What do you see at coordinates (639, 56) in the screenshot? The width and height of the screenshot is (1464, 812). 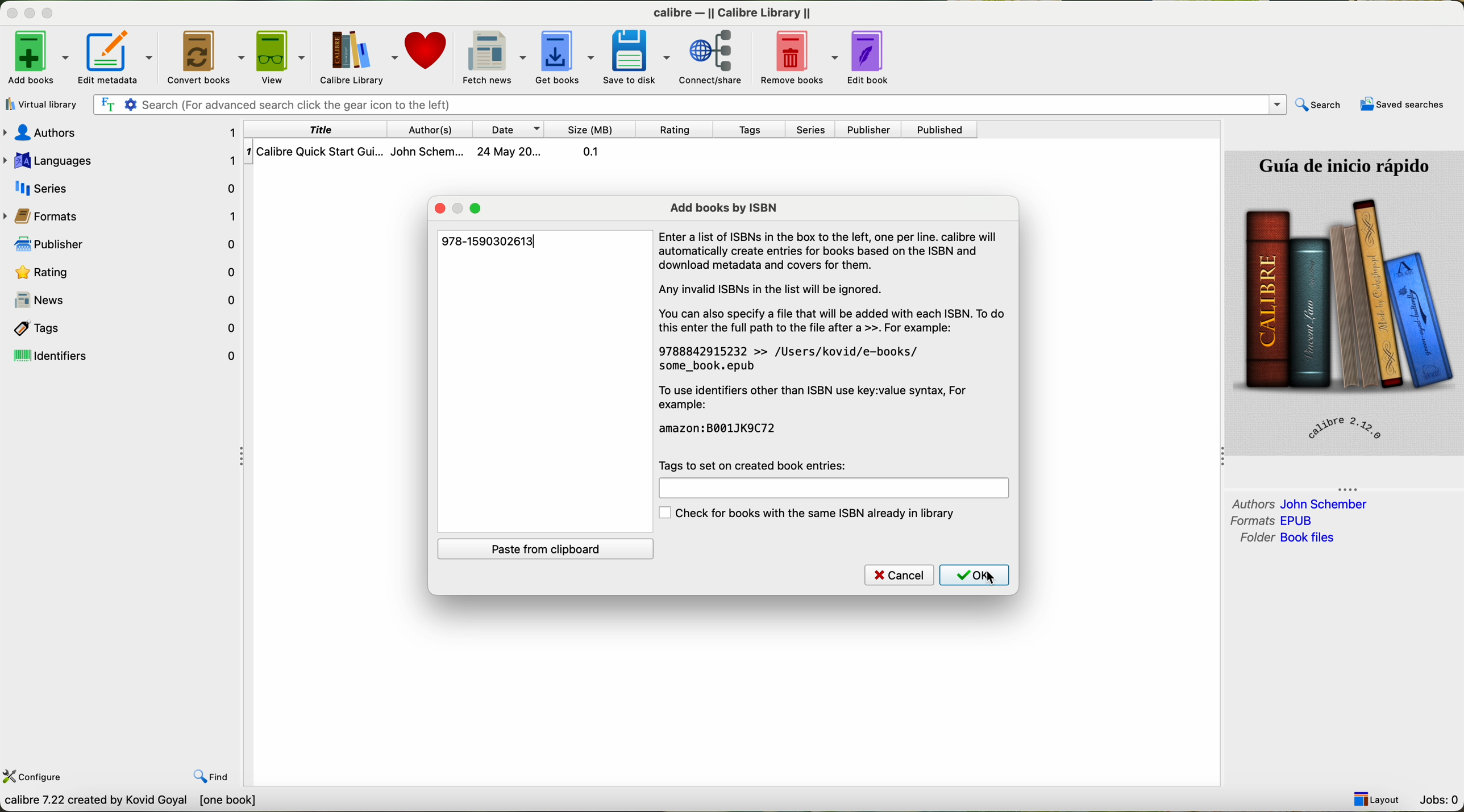 I see `save to disk` at bounding box center [639, 56].